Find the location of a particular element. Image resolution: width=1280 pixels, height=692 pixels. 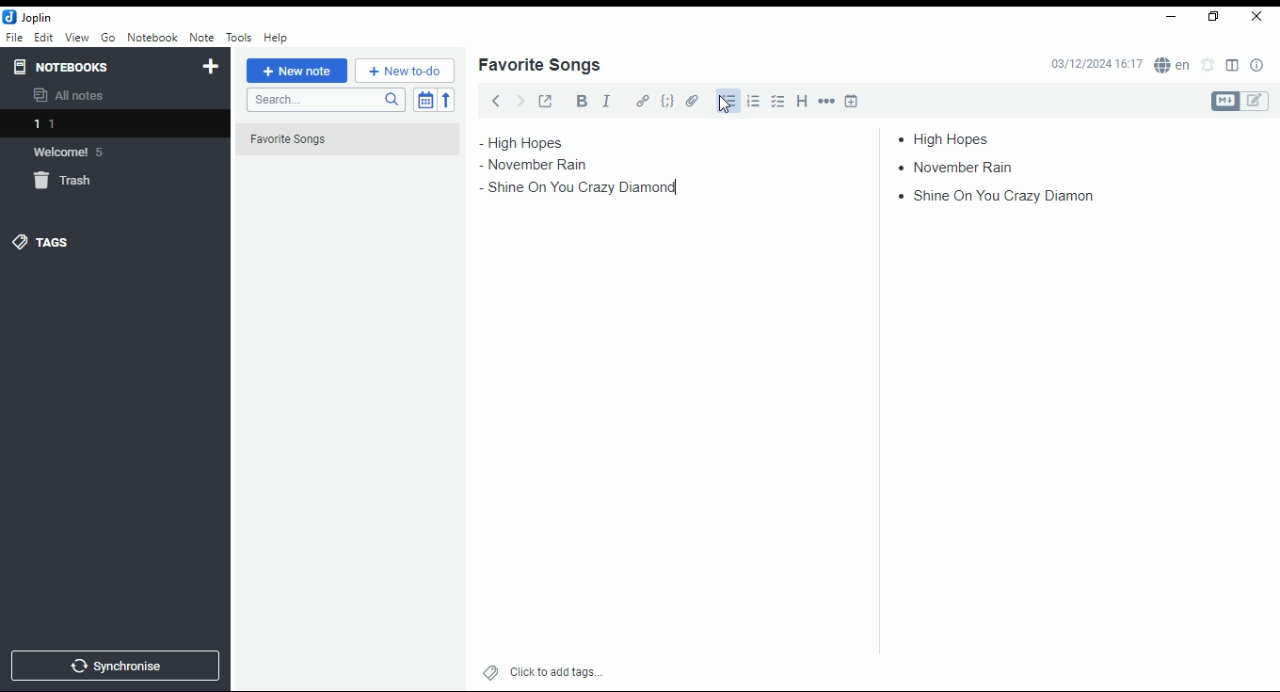

note is located at coordinates (201, 37).